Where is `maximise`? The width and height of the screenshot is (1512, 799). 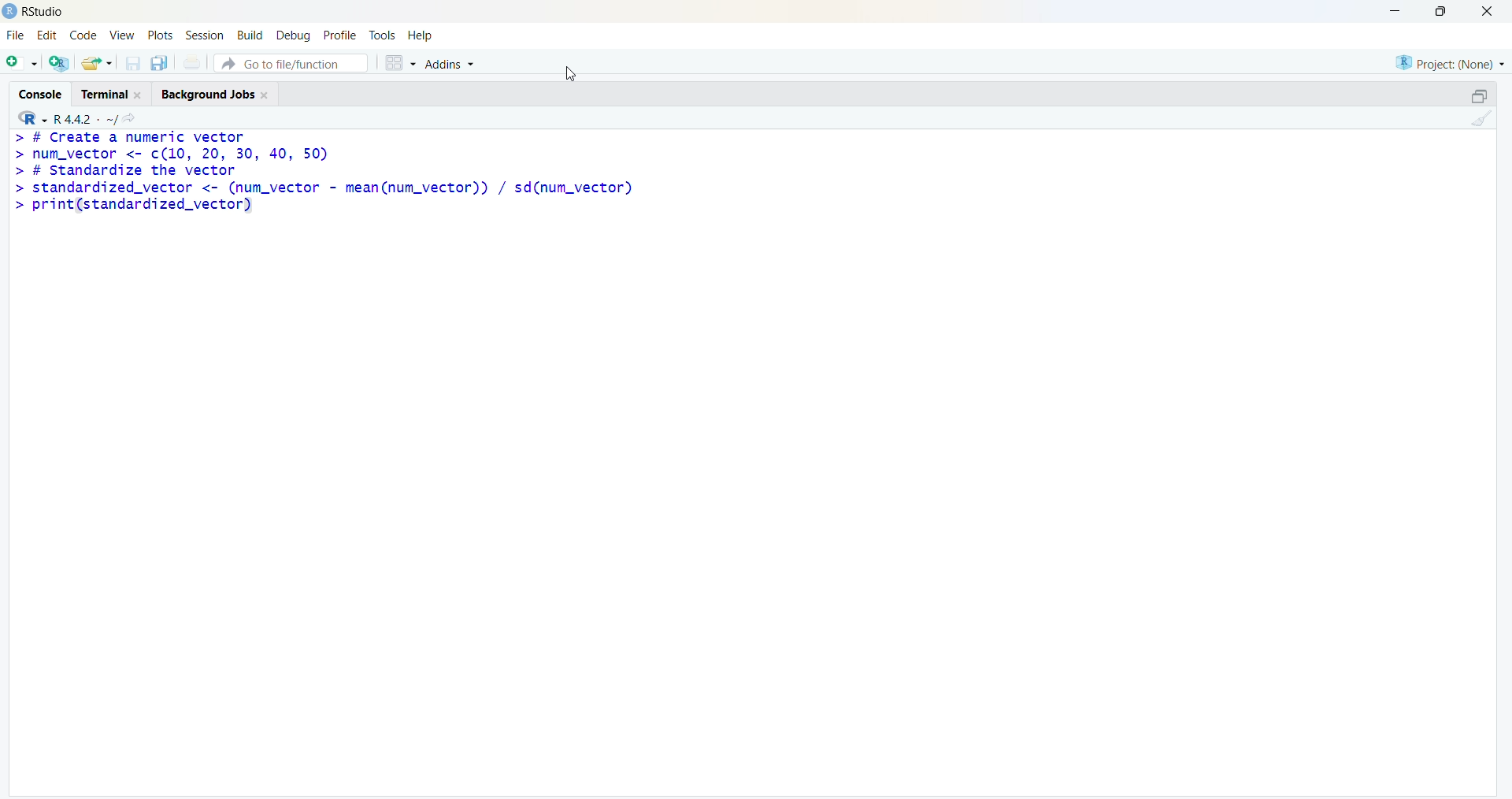
maximise is located at coordinates (1441, 10).